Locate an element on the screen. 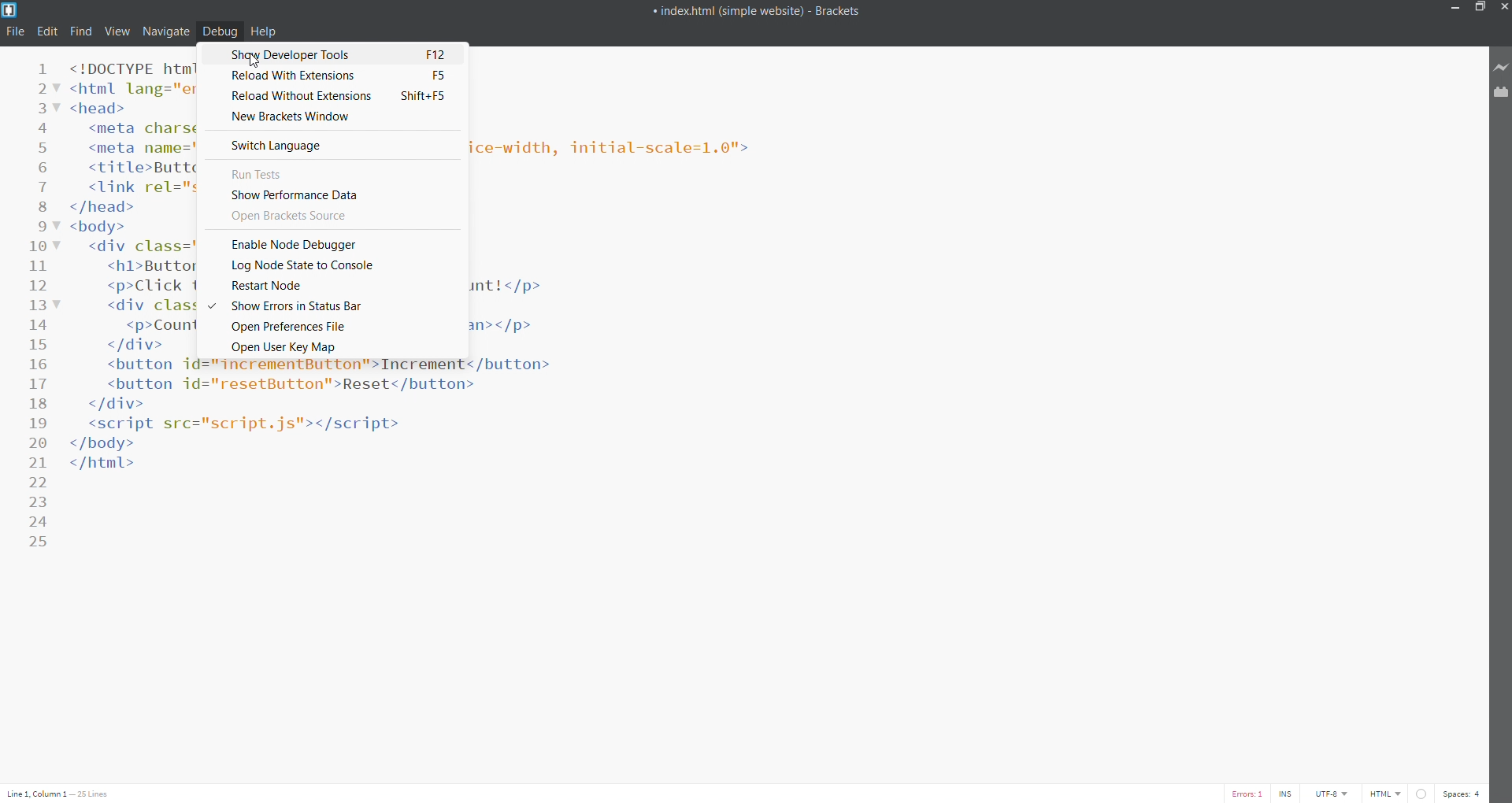 Image resolution: width=1512 pixels, height=803 pixels. open user key map is located at coordinates (330, 346).